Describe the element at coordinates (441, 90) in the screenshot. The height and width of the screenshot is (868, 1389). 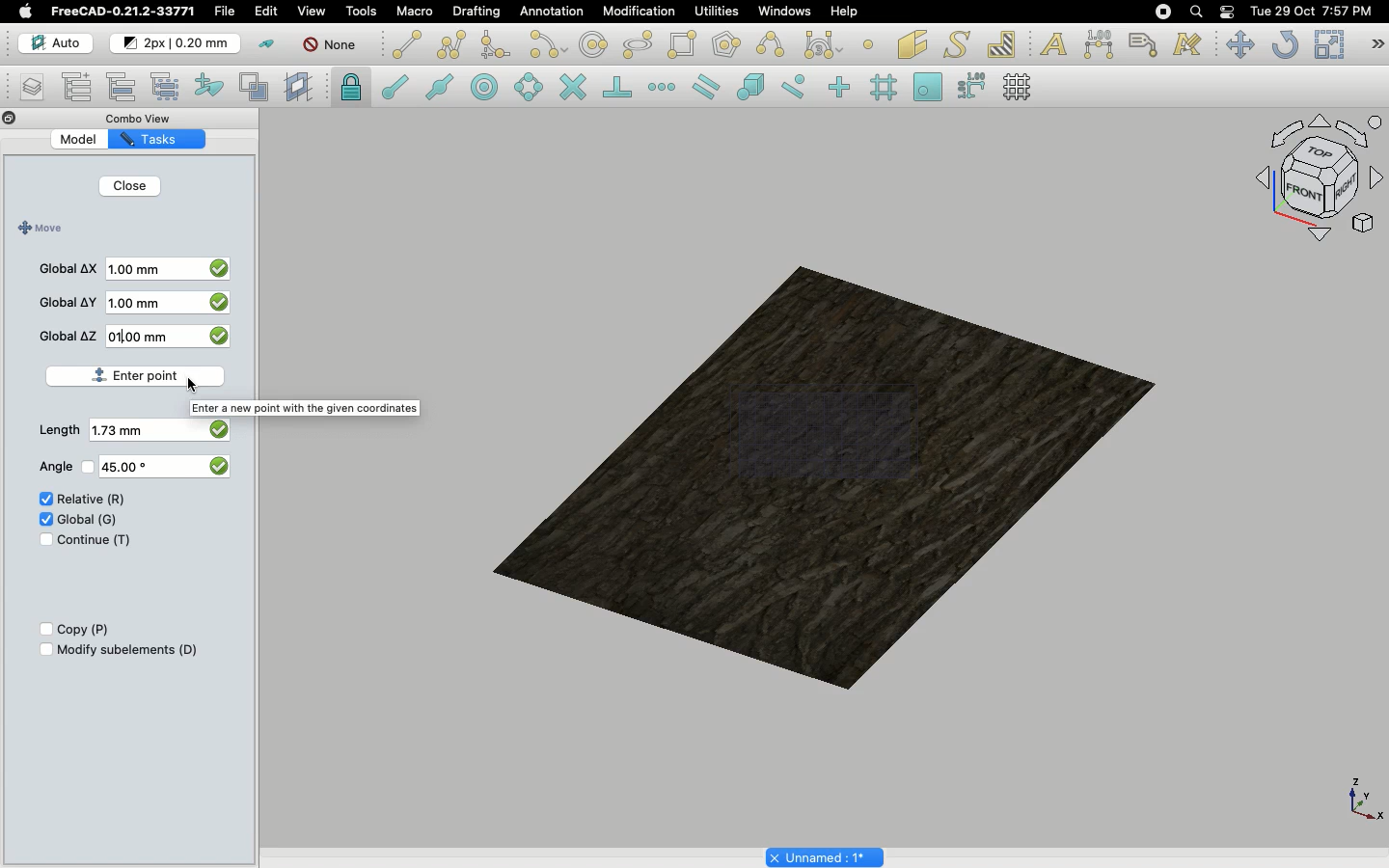
I see `Snap midpoint` at that location.